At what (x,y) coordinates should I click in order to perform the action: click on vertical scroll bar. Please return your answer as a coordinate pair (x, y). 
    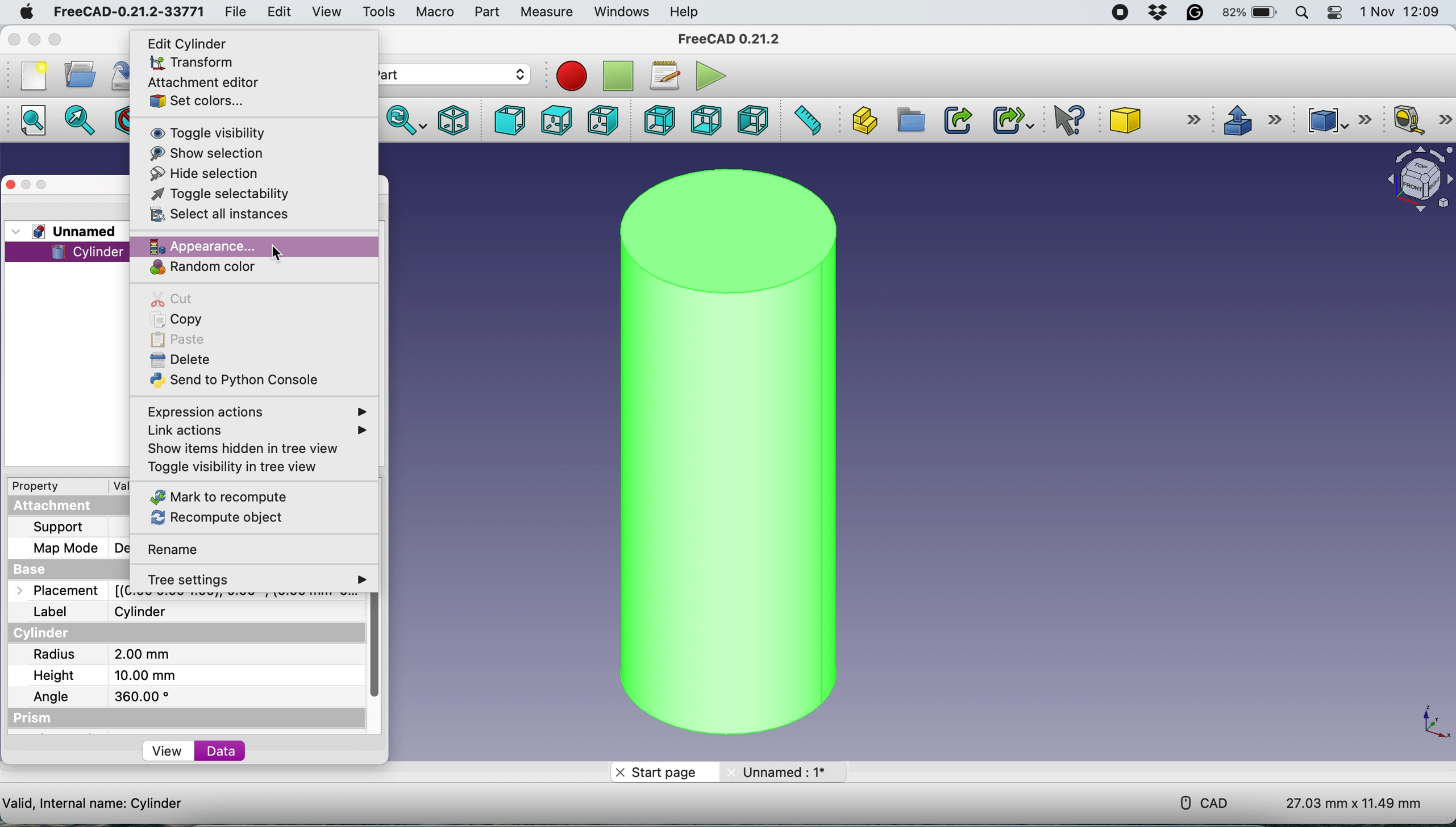
    Looking at the image, I should click on (370, 648).